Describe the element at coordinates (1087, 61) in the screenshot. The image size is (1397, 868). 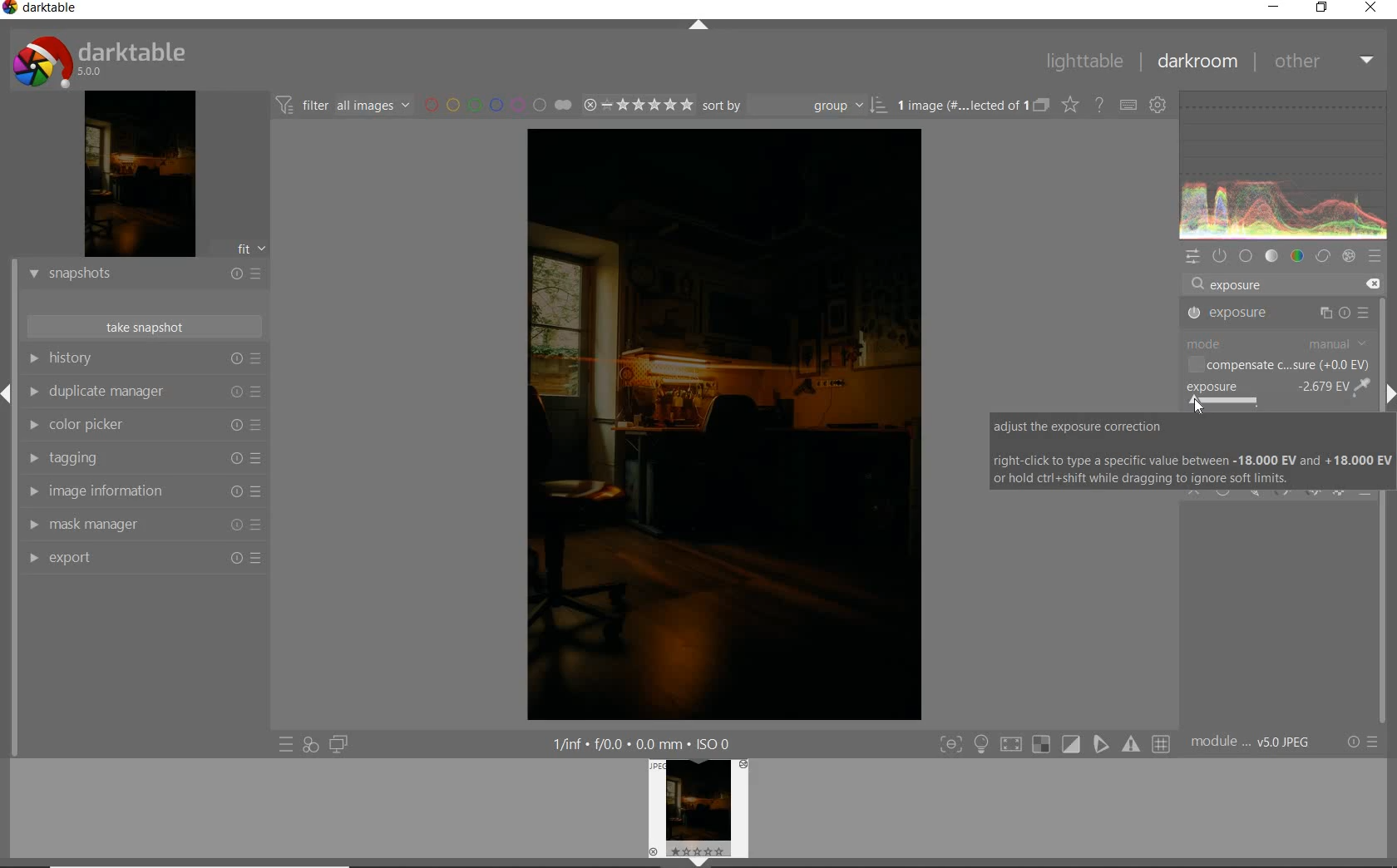
I see `lighttable` at that location.